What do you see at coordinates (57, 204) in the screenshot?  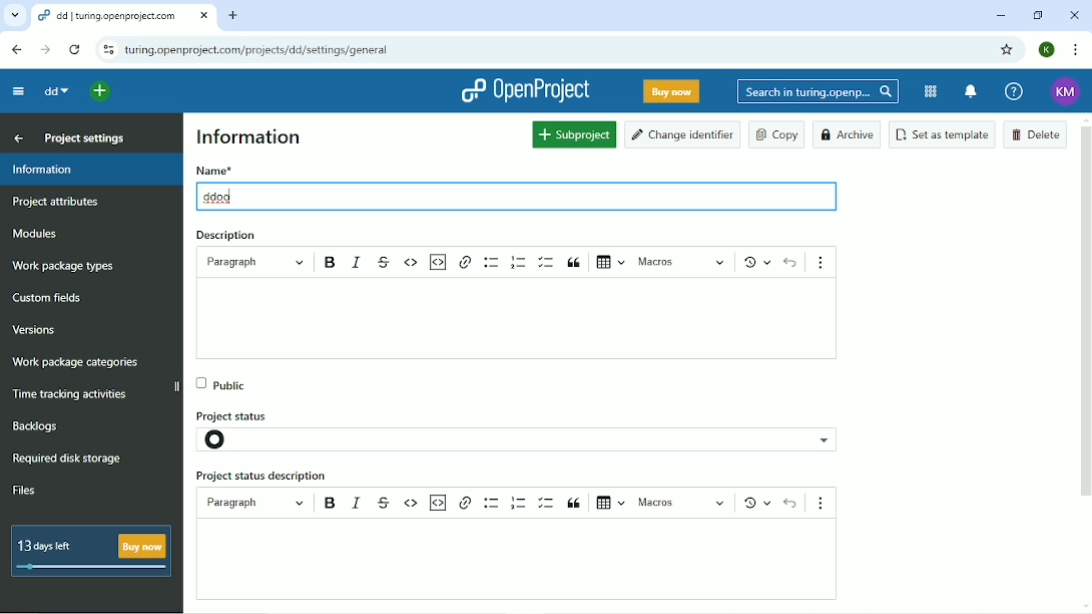 I see `Project attributes` at bounding box center [57, 204].